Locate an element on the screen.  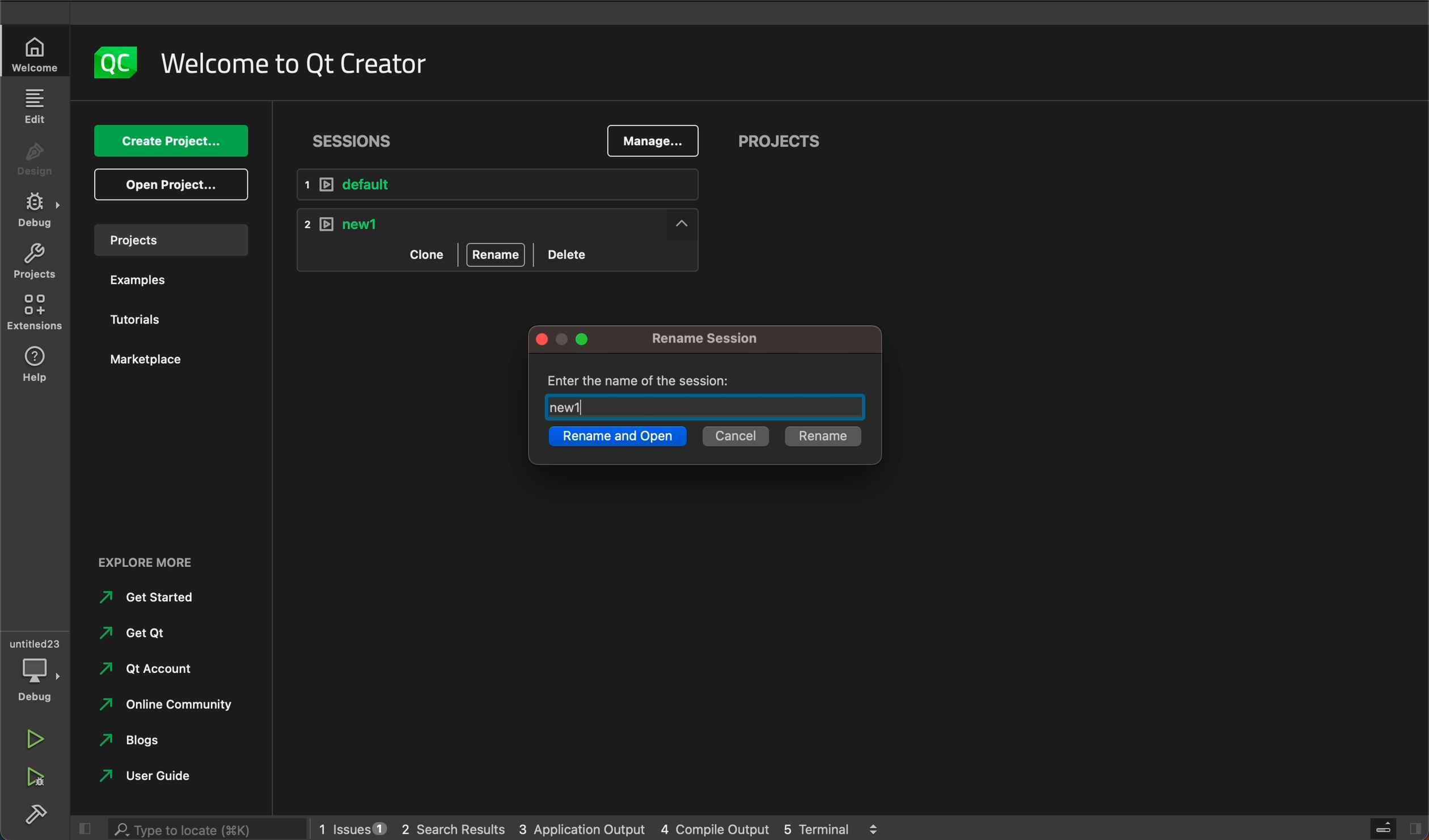
search is located at coordinates (204, 828).